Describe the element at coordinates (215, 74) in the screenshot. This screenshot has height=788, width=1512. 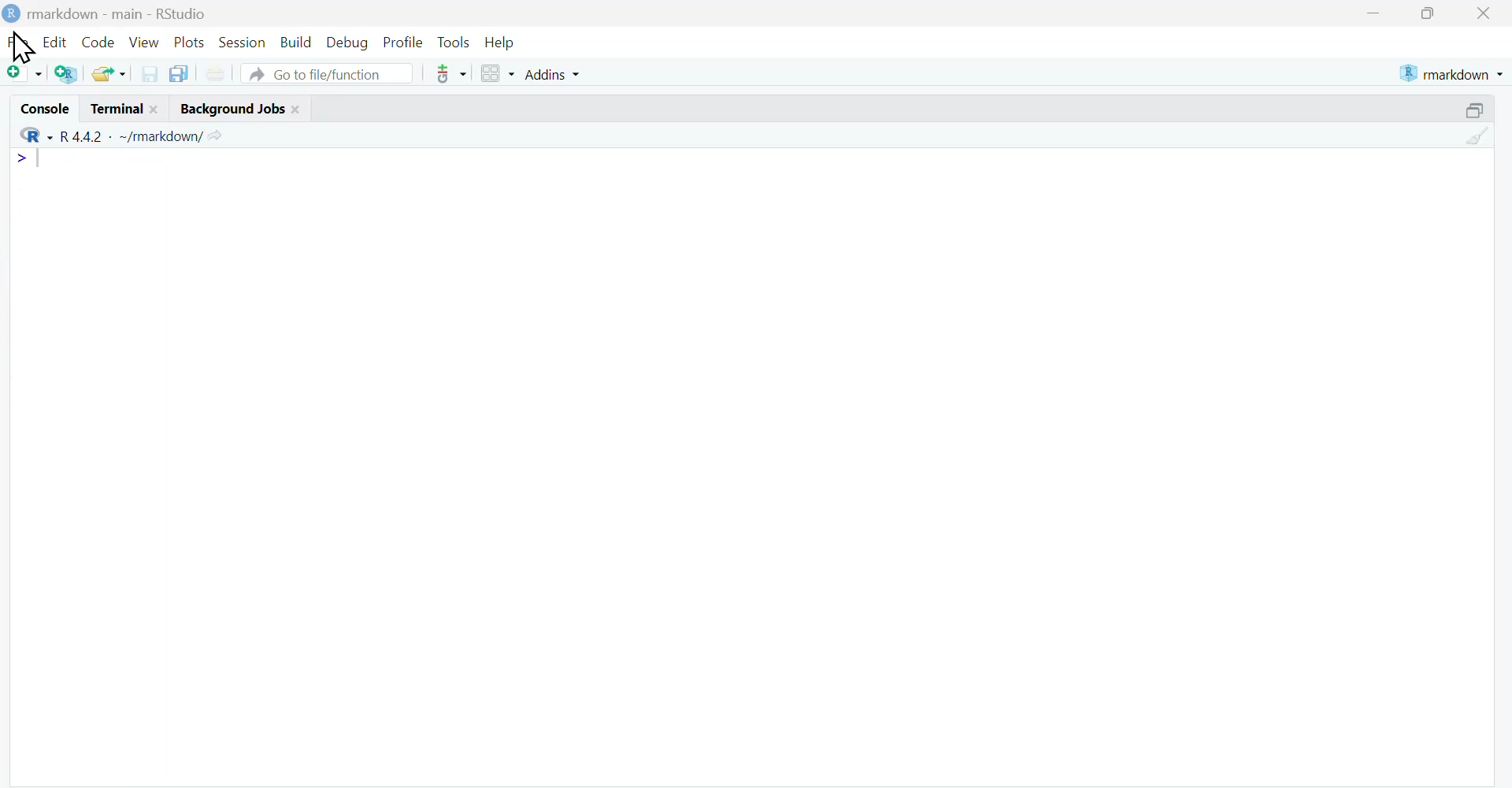
I see `print the current file` at that location.